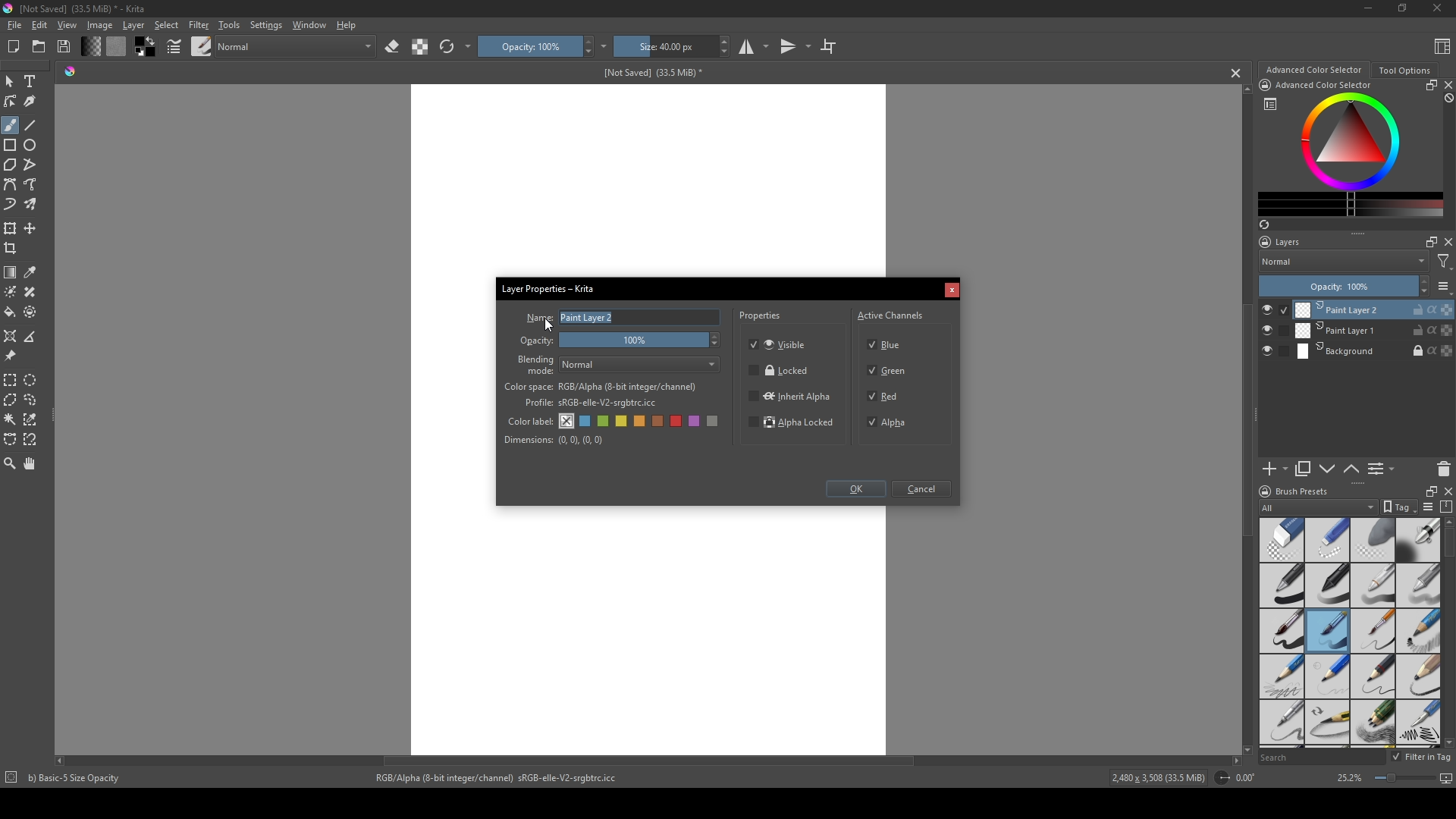  I want to click on polyline, so click(32, 165).